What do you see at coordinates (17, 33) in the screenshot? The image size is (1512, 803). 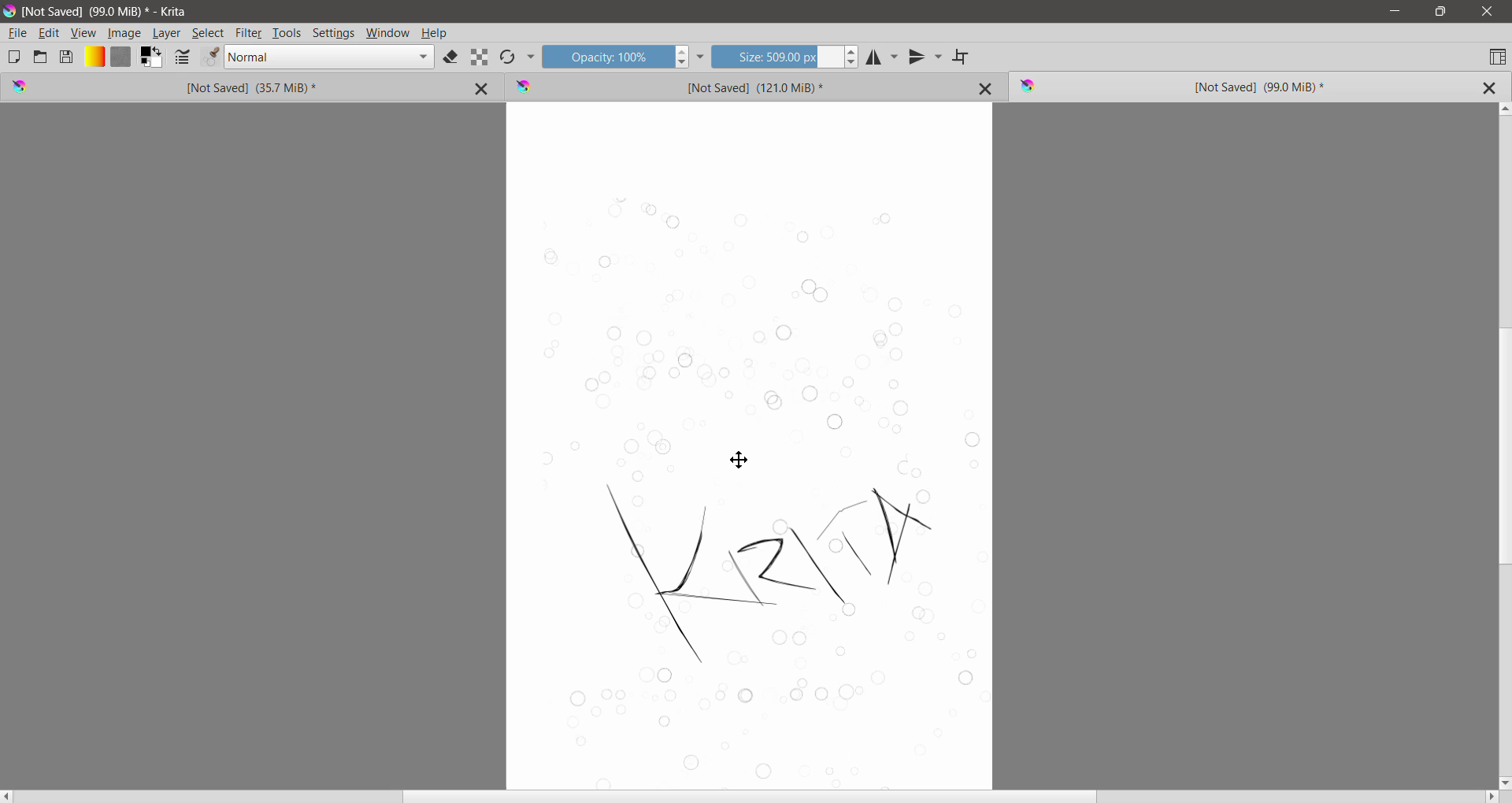 I see `File` at bounding box center [17, 33].